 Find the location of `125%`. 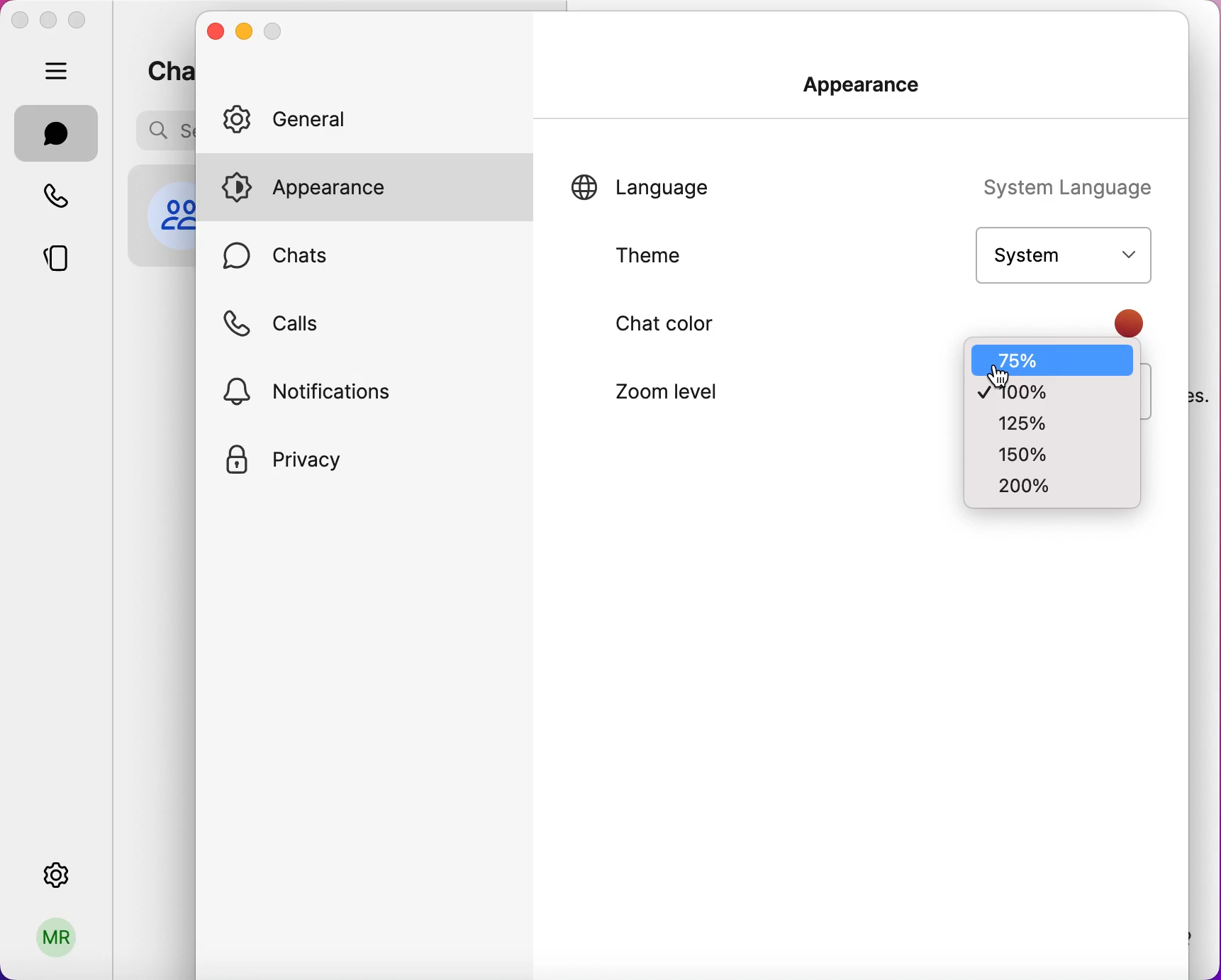

125% is located at coordinates (1060, 423).